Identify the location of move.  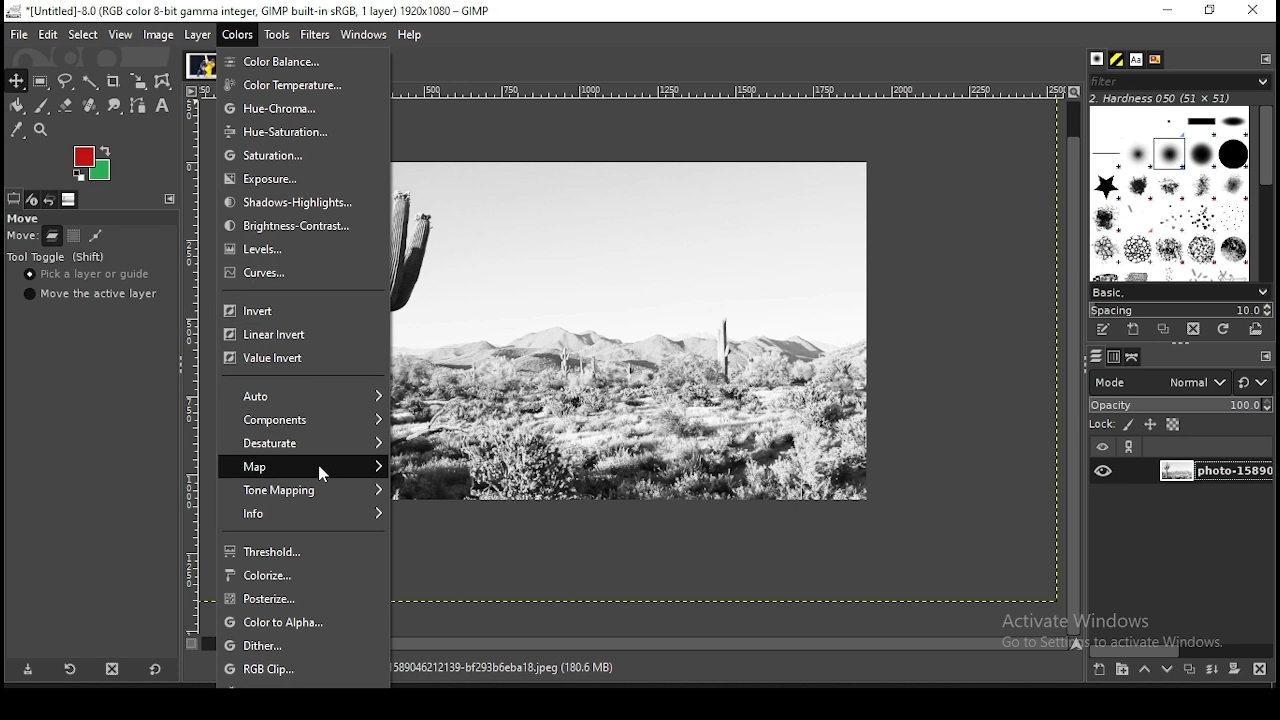
(21, 237).